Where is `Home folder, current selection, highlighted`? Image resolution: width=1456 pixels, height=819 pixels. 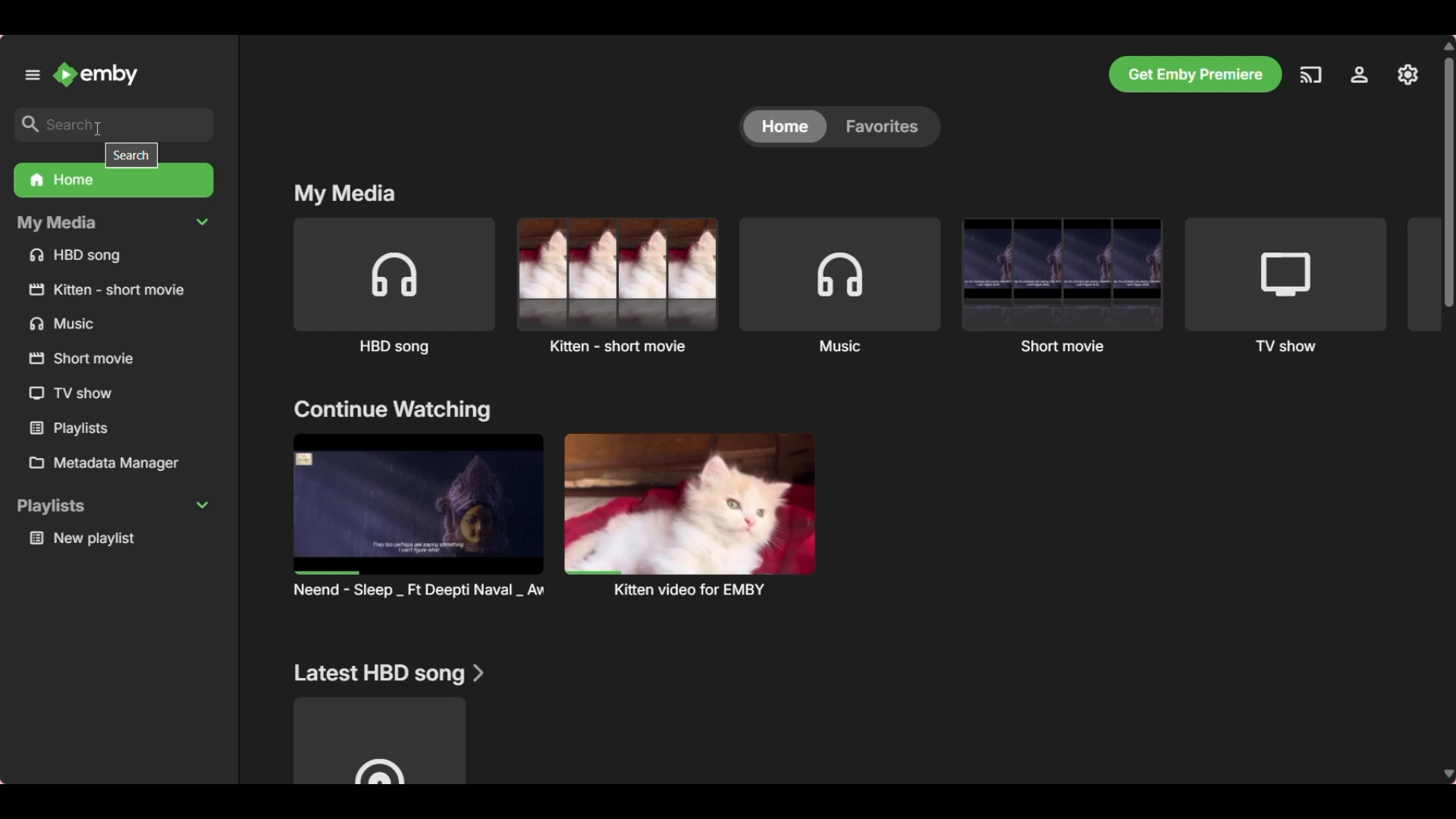 Home folder, current selection, highlighted is located at coordinates (112, 180).